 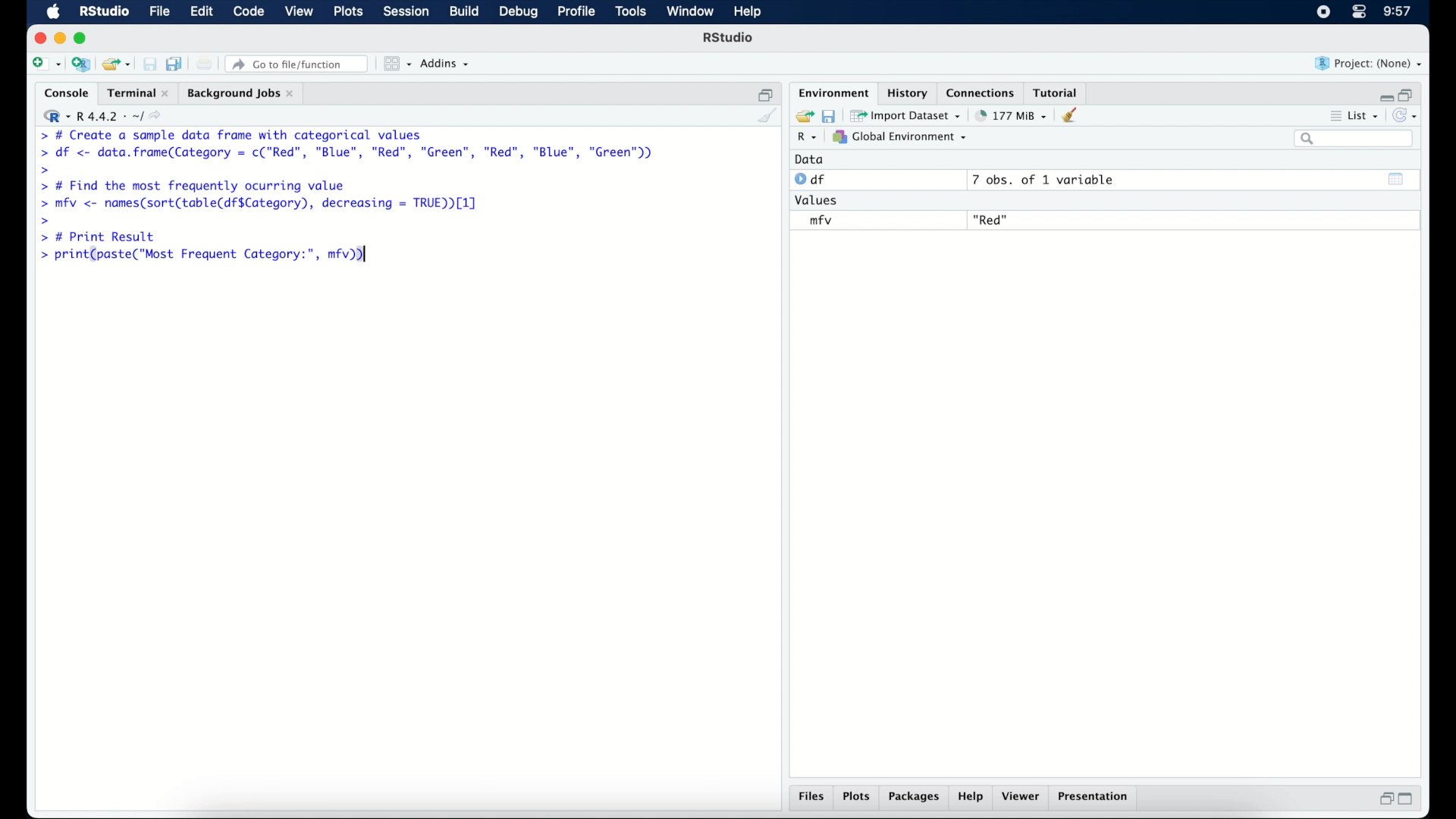 I want to click on R 4.4.2, so click(x=102, y=114).